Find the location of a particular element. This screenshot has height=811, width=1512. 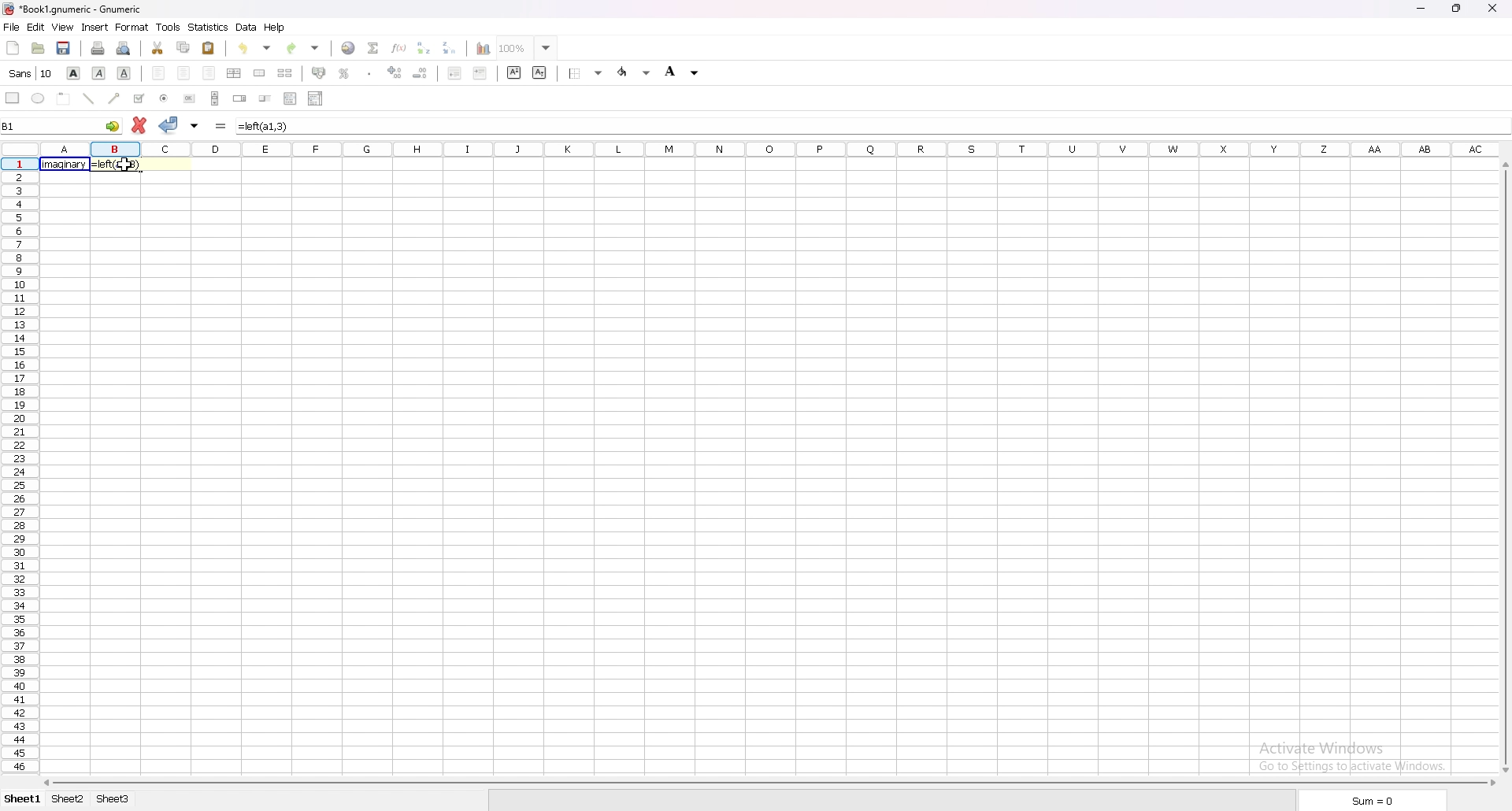

rows is located at coordinates (17, 464).